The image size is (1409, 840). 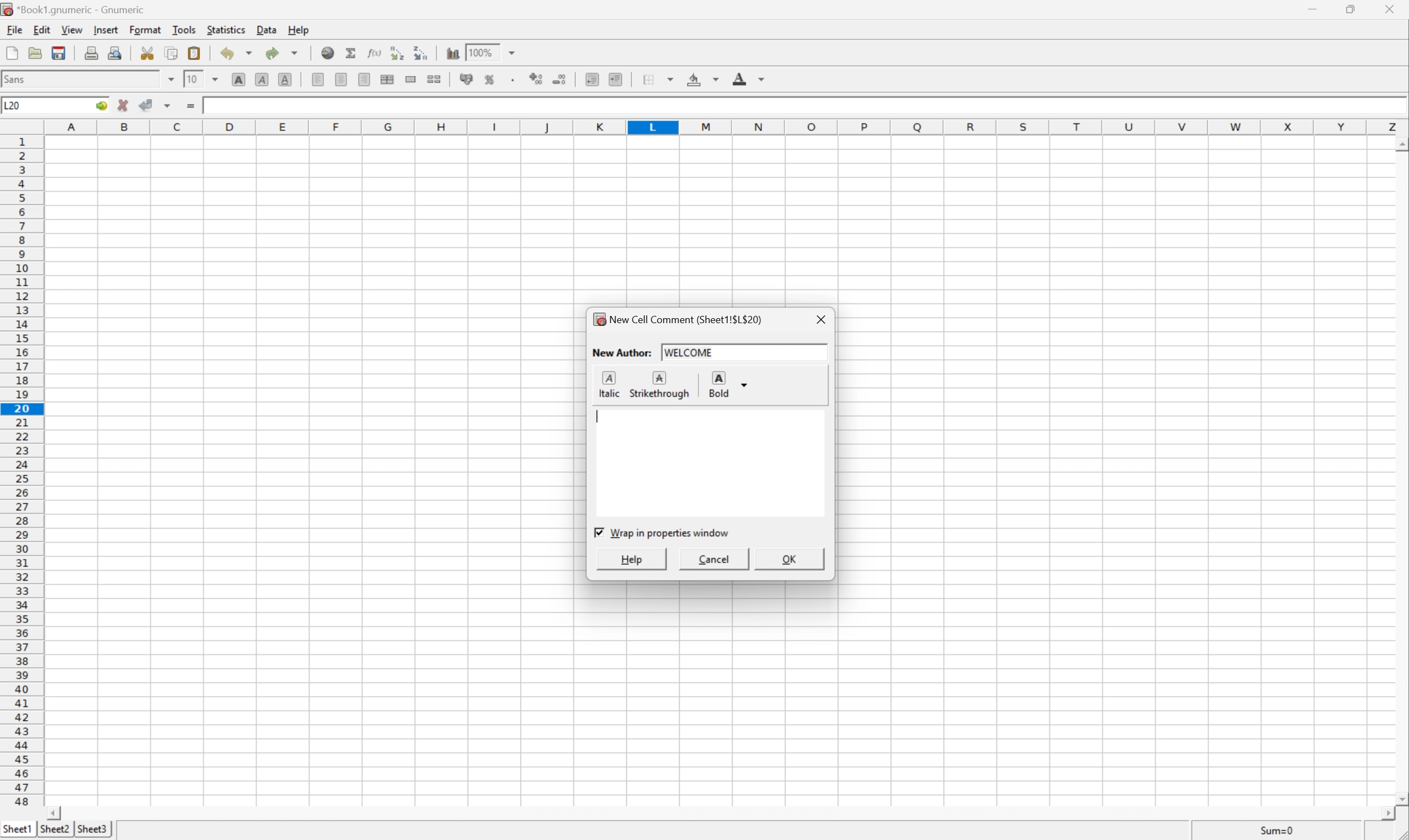 What do you see at coordinates (195, 53) in the screenshot?
I see `Paste clipboard` at bounding box center [195, 53].